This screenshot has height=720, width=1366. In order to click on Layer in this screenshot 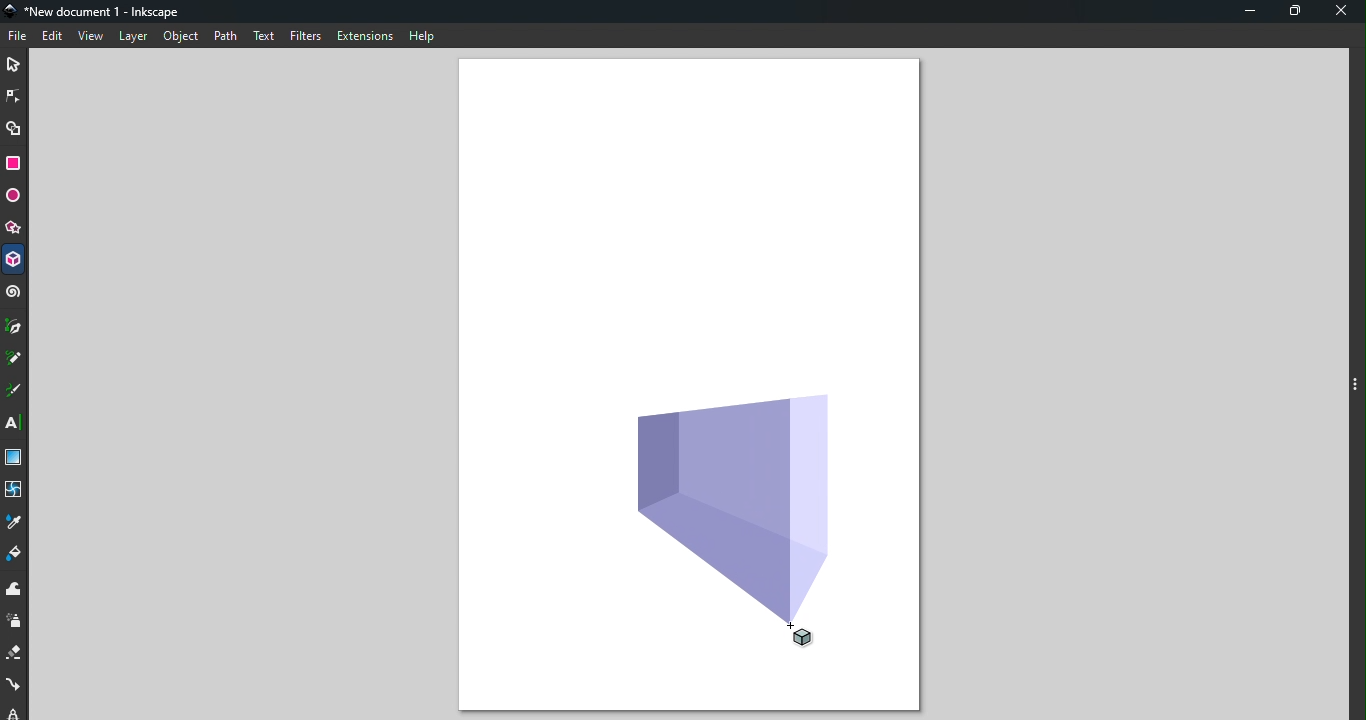, I will do `click(133, 38)`.